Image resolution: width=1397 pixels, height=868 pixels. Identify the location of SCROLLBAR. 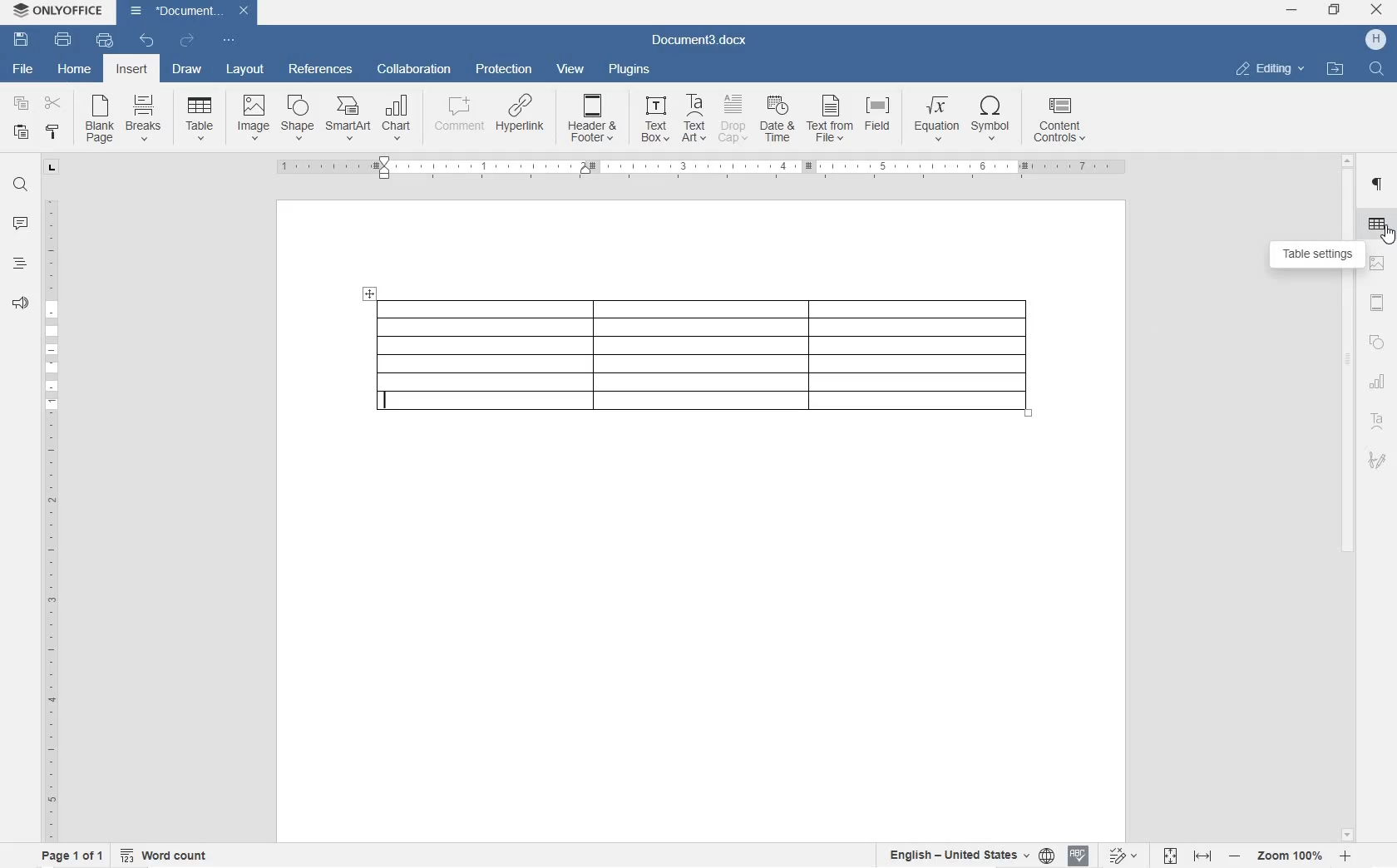
(1346, 499).